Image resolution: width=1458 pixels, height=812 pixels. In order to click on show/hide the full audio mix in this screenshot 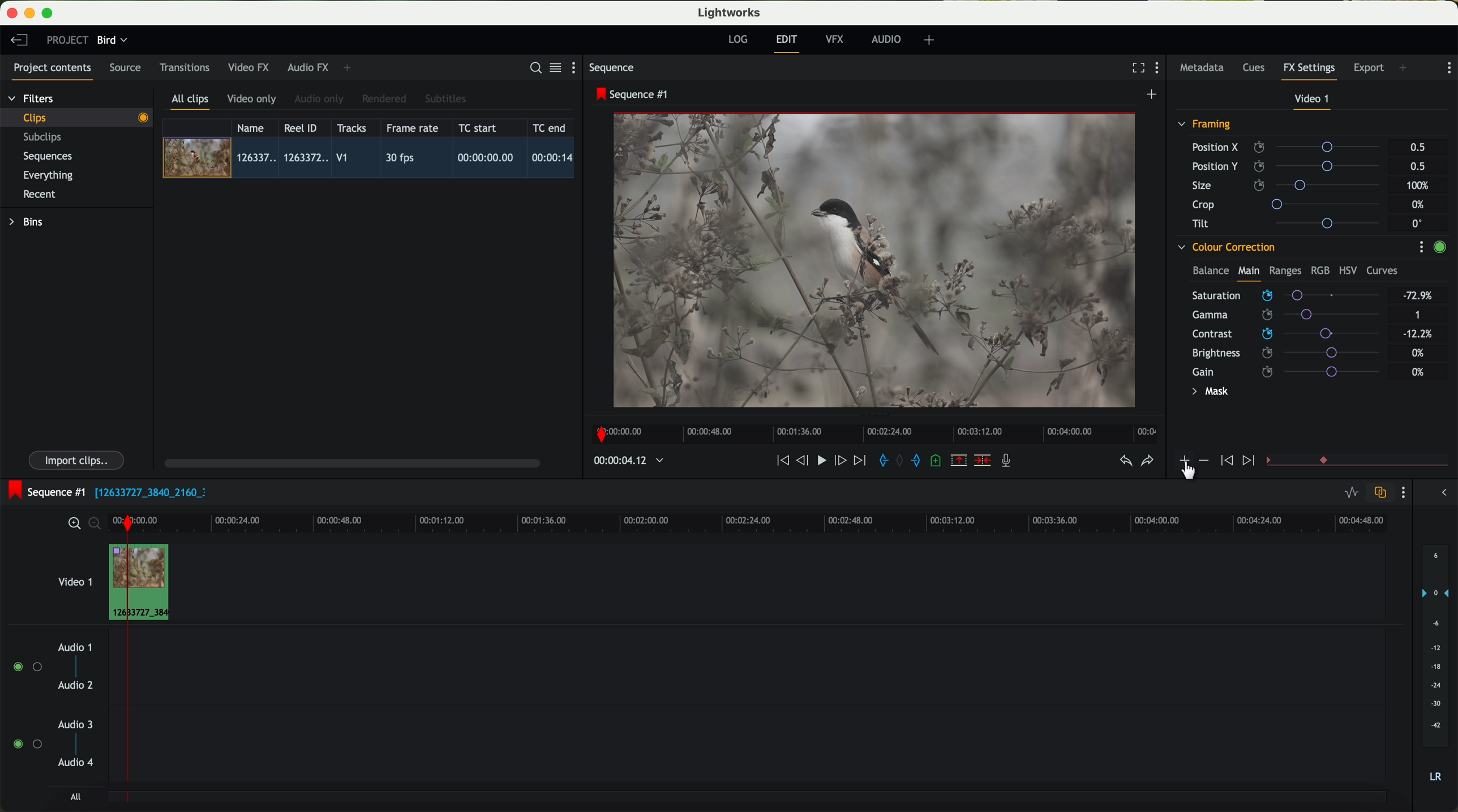, I will do `click(1440, 493)`.